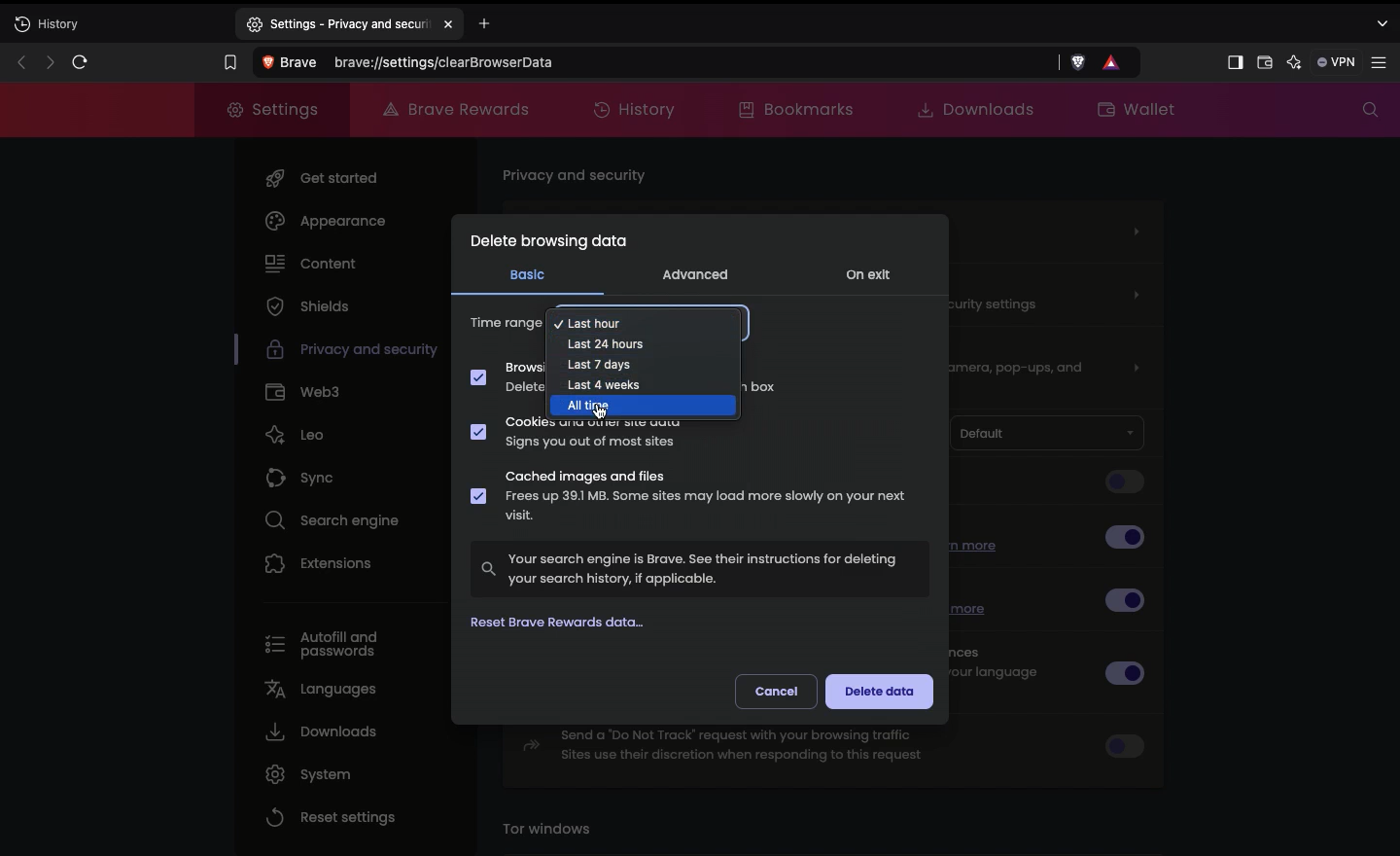 The width and height of the screenshot is (1400, 856). What do you see at coordinates (601, 366) in the screenshot?
I see `Last 7 days` at bounding box center [601, 366].